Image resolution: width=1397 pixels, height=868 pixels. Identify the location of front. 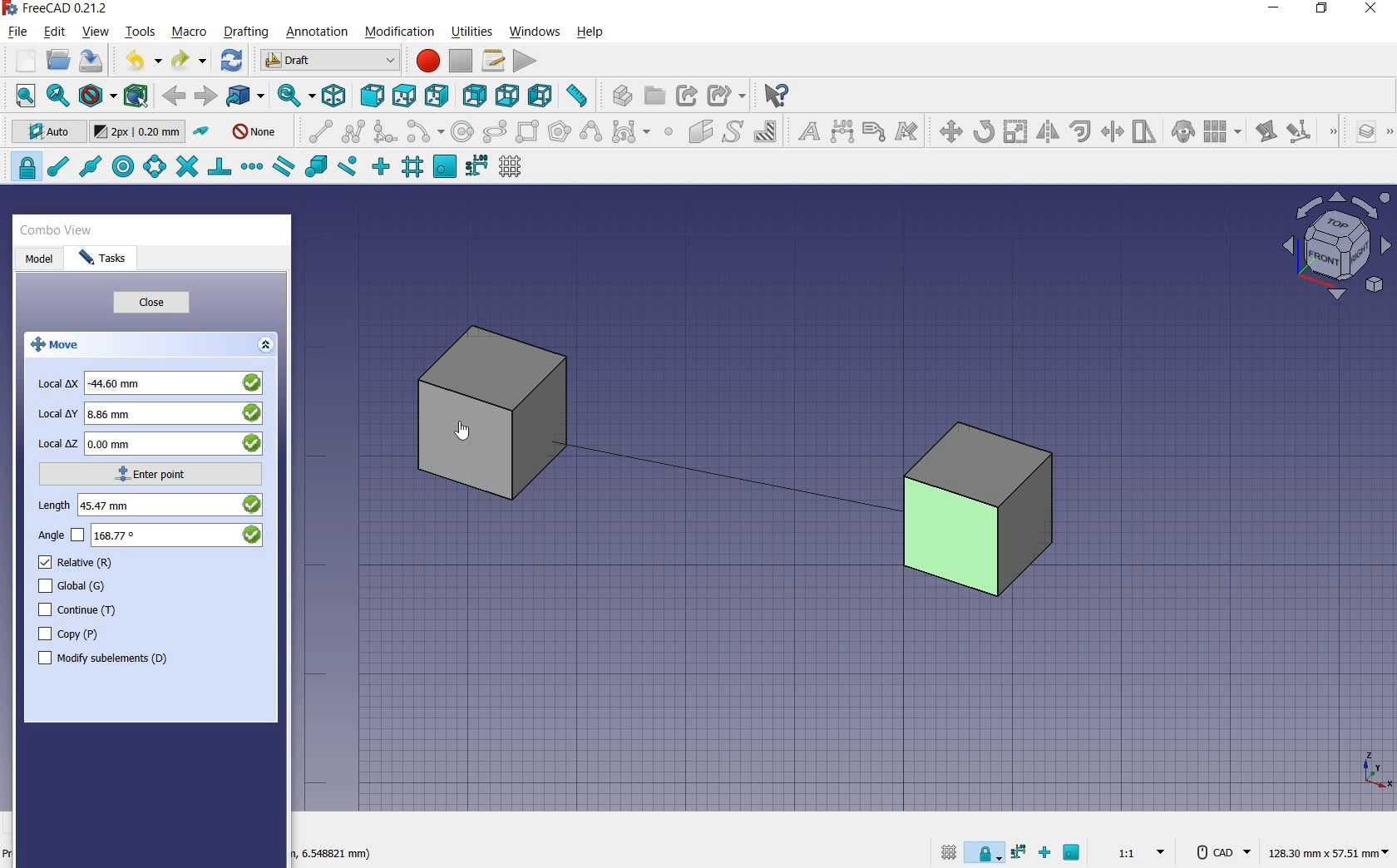
(371, 96).